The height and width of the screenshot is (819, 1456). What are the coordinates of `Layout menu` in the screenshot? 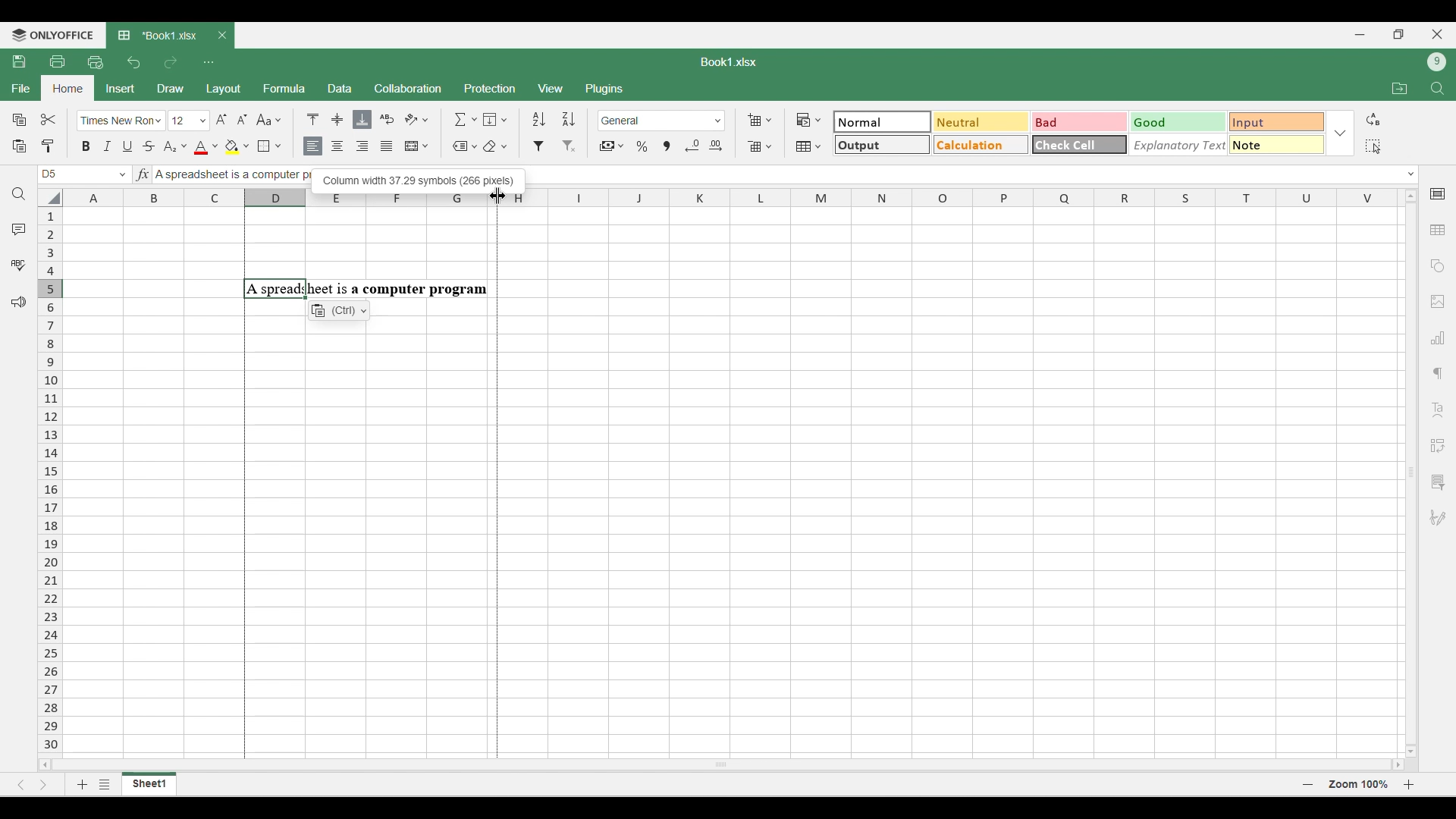 It's located at (224, 89).